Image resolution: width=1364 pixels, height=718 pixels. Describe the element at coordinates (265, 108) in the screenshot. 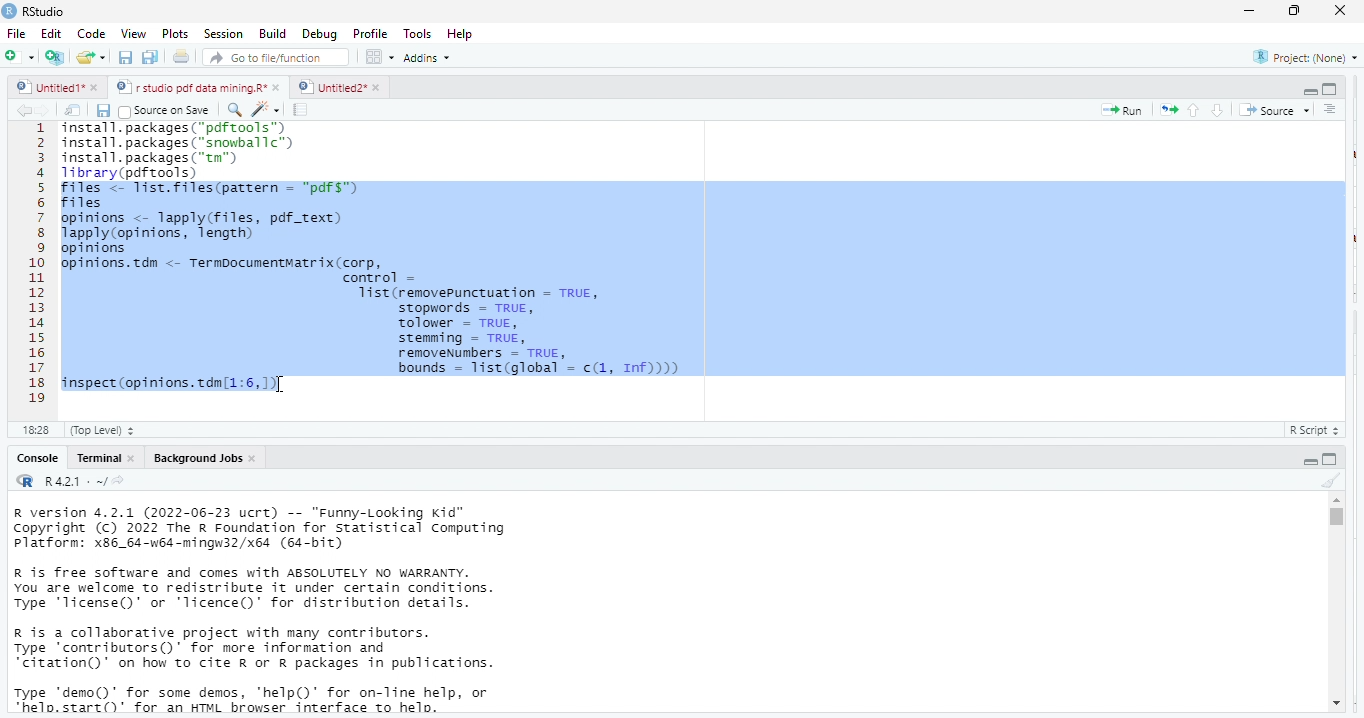

I see `code tools` at that location.